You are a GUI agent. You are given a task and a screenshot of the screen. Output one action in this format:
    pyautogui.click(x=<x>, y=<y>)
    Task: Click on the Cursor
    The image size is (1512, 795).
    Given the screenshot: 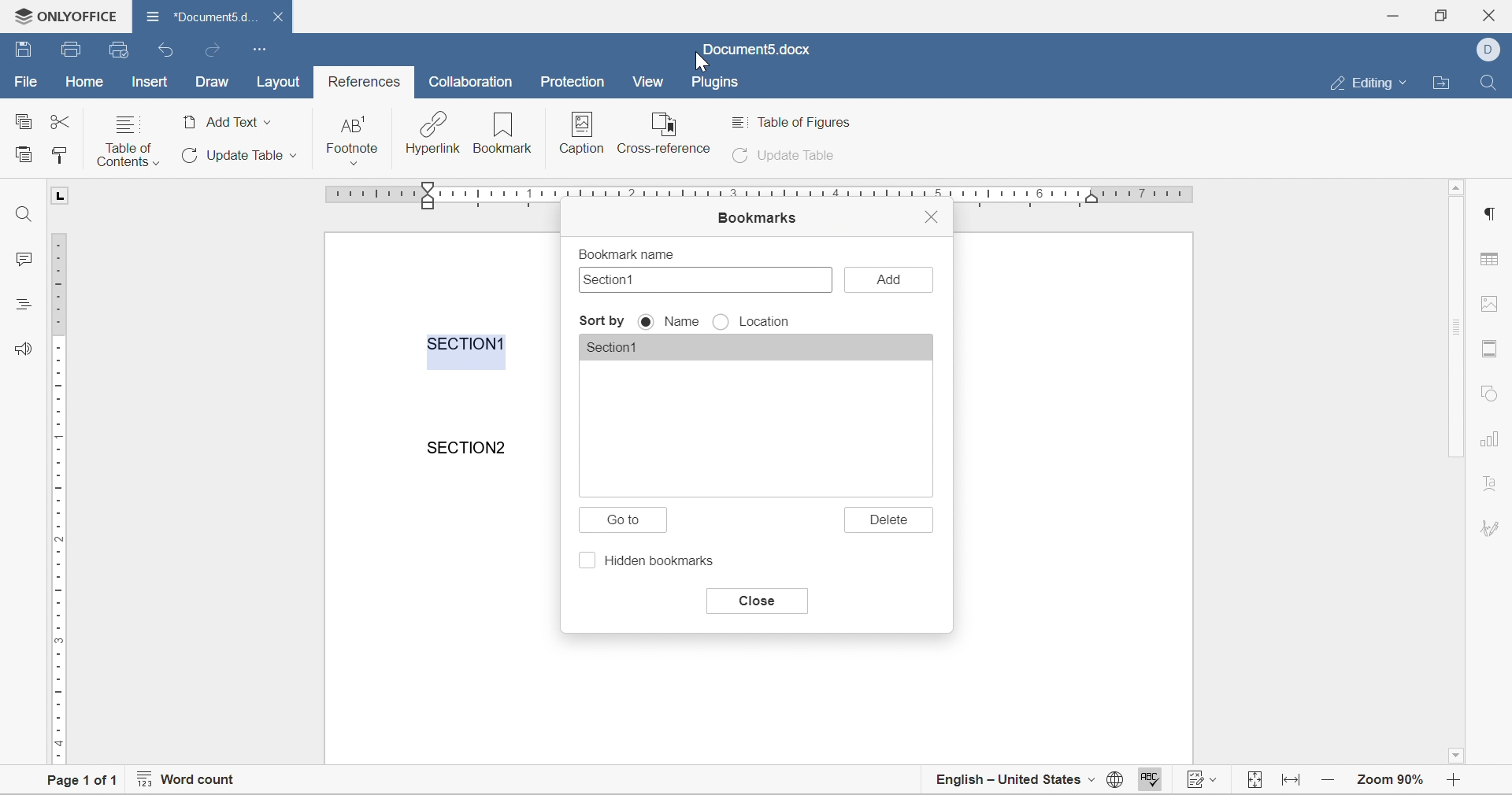 What is the action you would take?
    pyautogui.click(x=703, y=64)
    